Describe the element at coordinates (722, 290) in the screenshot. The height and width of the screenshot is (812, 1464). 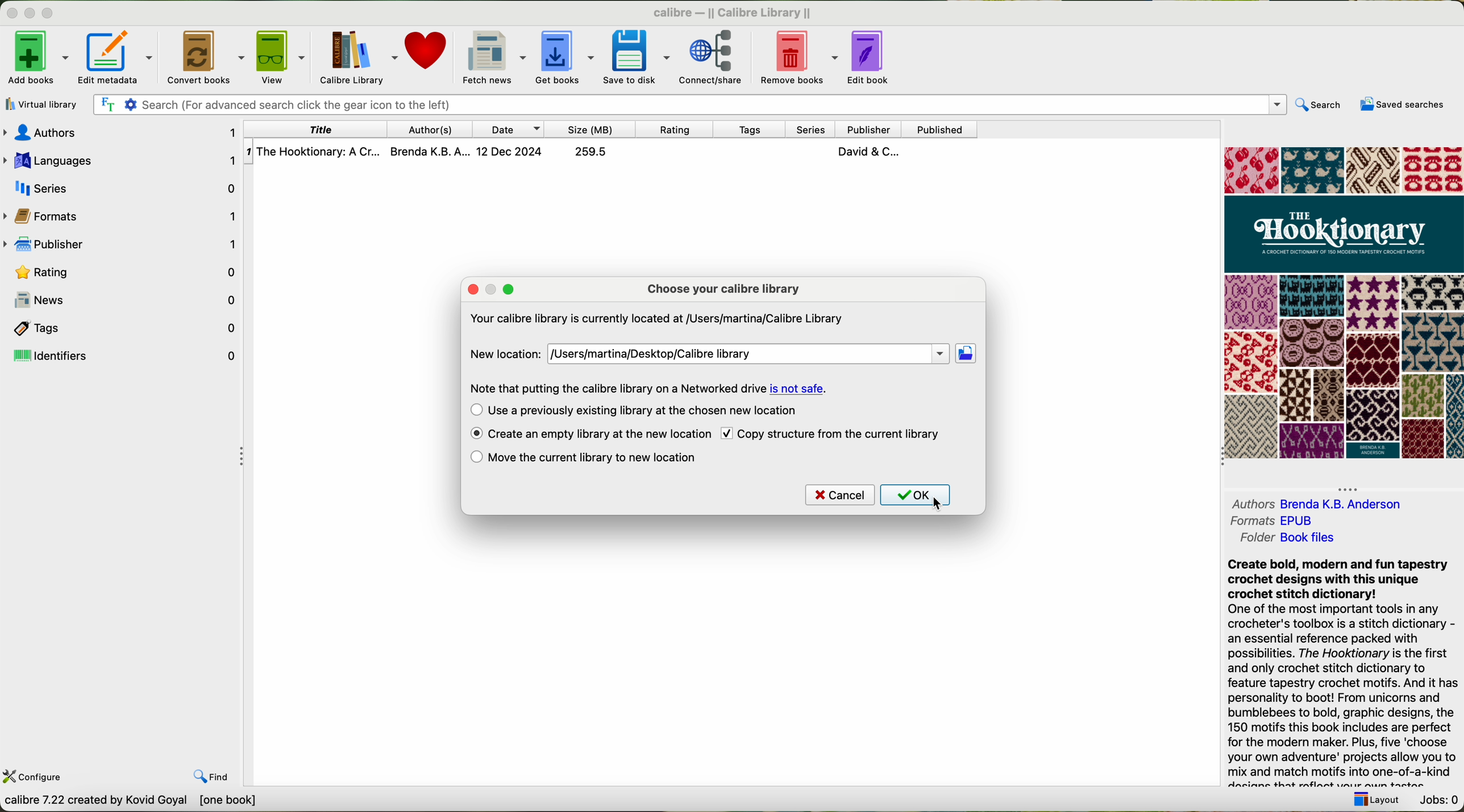
I see `choose your calibre library` at that location.